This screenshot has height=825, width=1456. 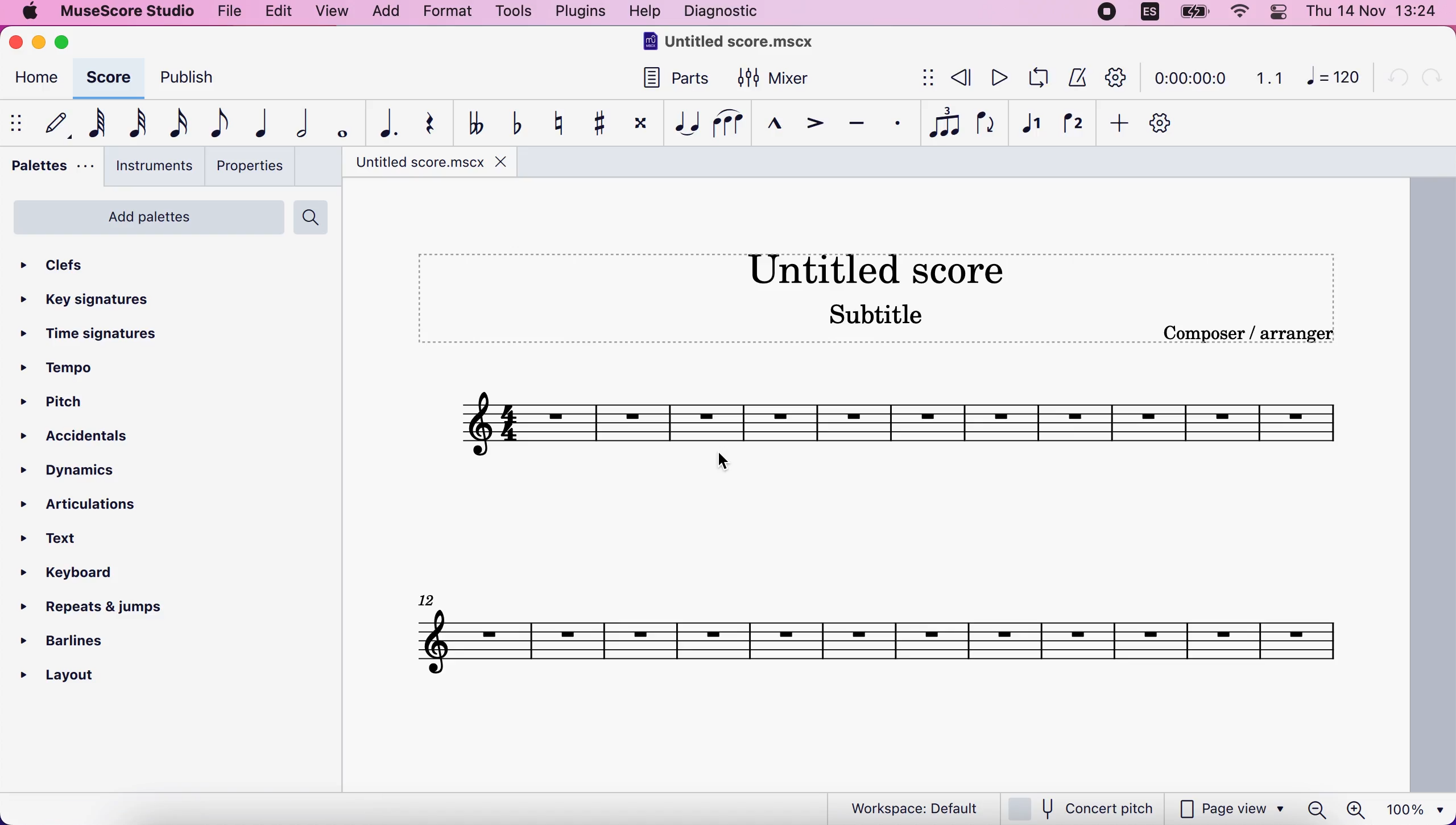 What do you see at coordinates (337, 126) in the screenshot?
I see `whole note` at bounding box center [337, 126].